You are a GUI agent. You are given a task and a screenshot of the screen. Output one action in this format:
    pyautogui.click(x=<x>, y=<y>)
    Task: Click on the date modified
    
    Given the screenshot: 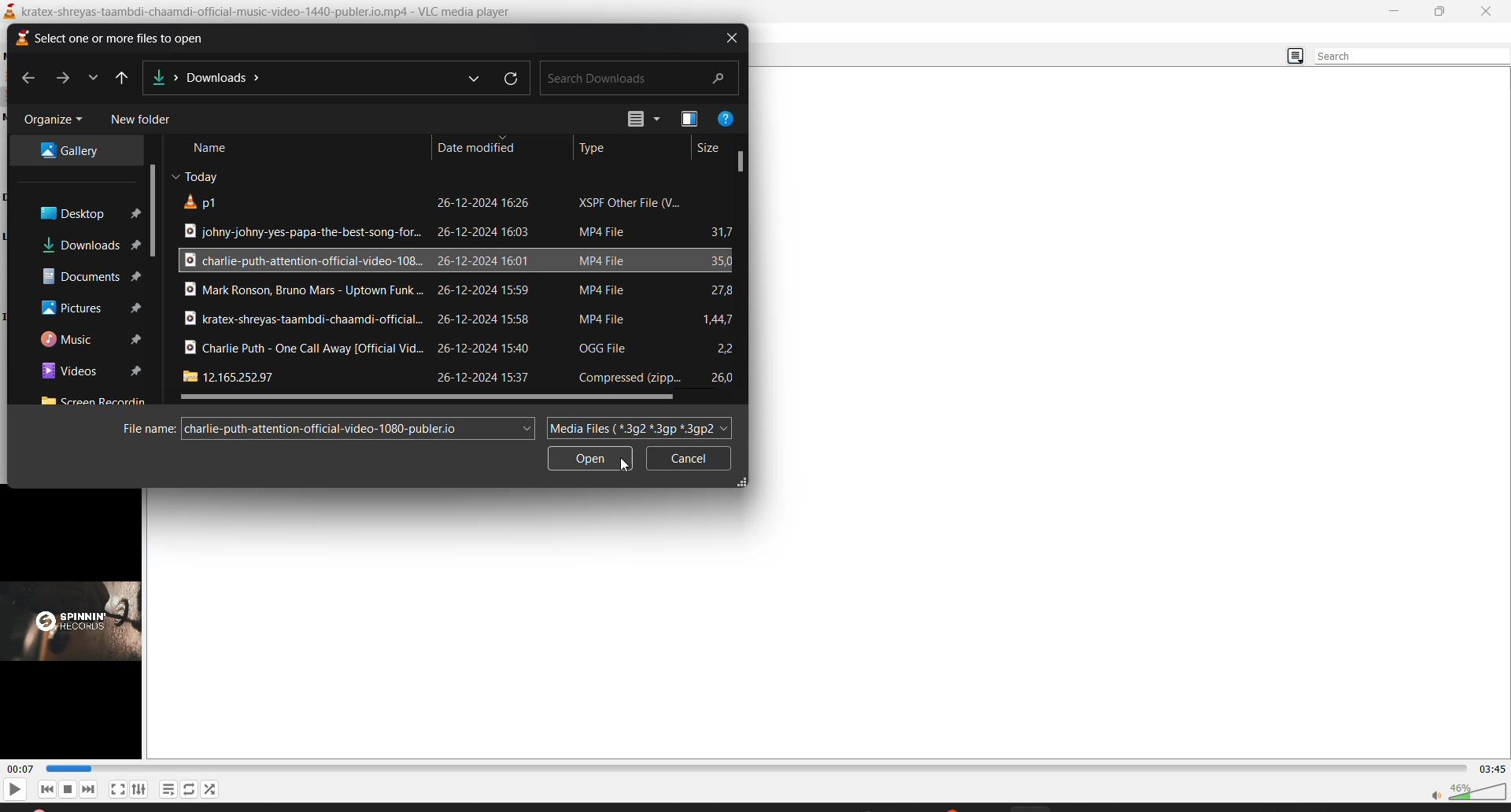 What is the action you would take?
    pyautogui.click(x=486, y=348)
    